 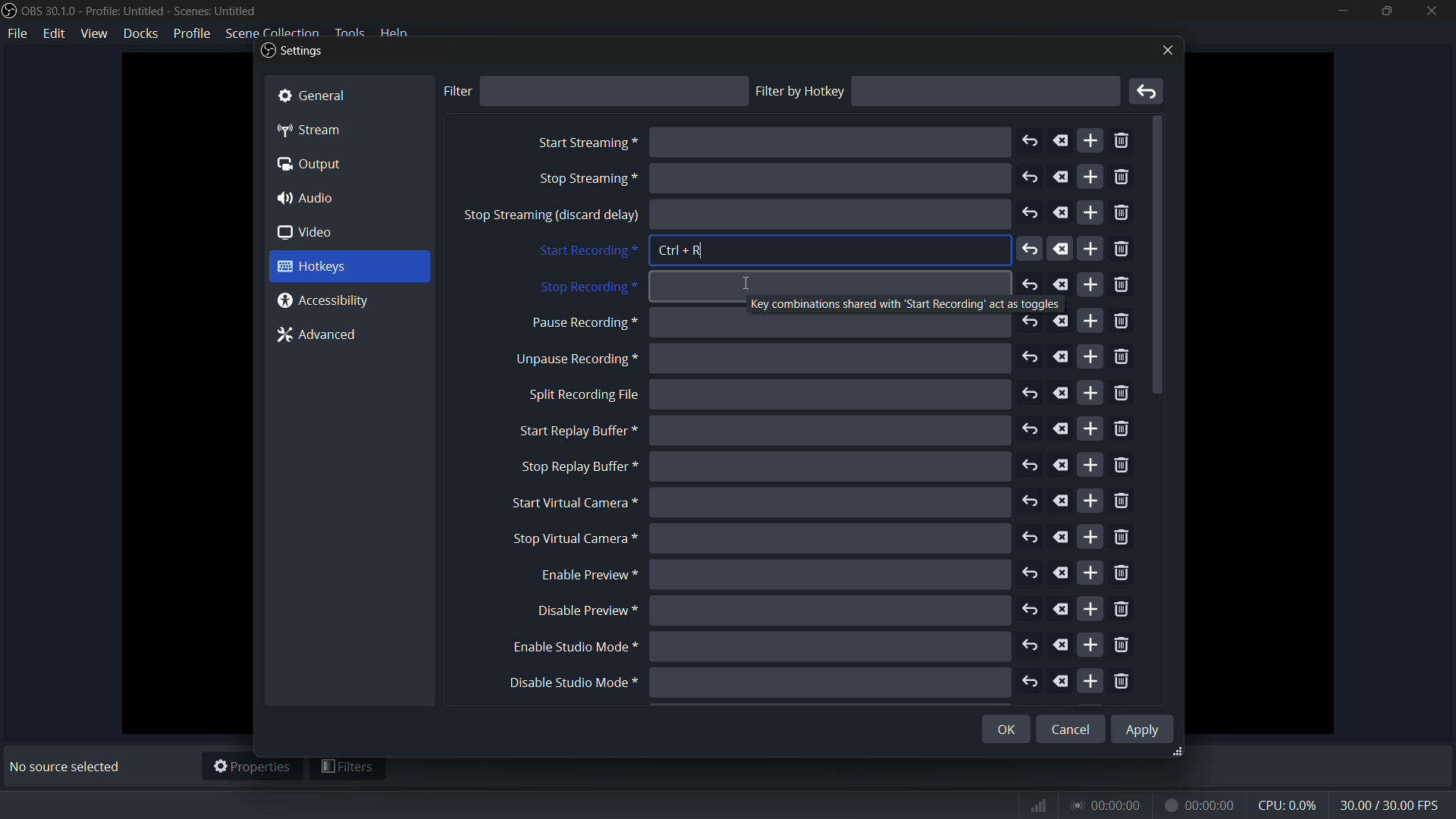 I want to click on start replay buffer, so click(x=571, y=431).